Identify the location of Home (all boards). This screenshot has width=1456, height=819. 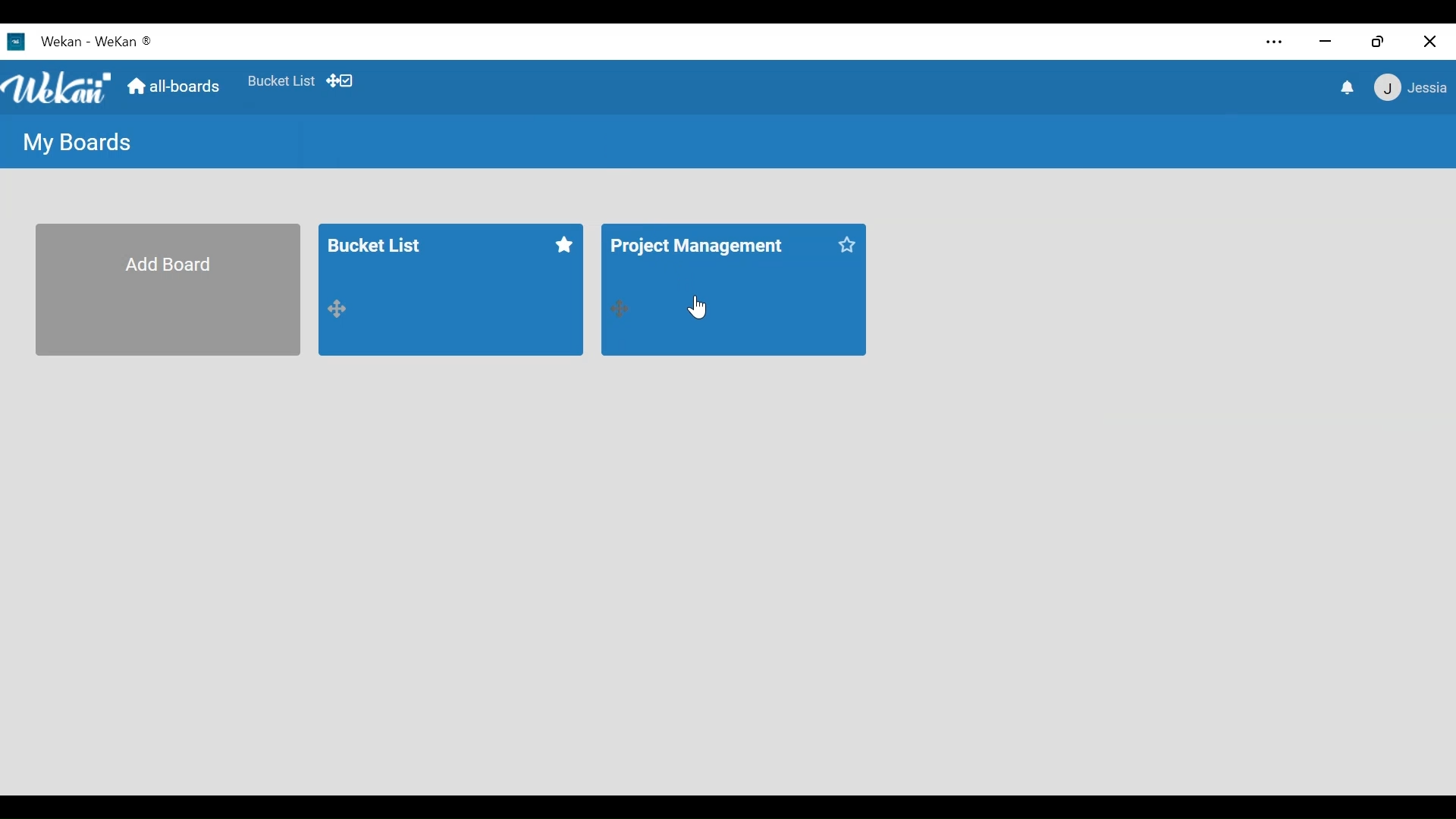
(178, 86).